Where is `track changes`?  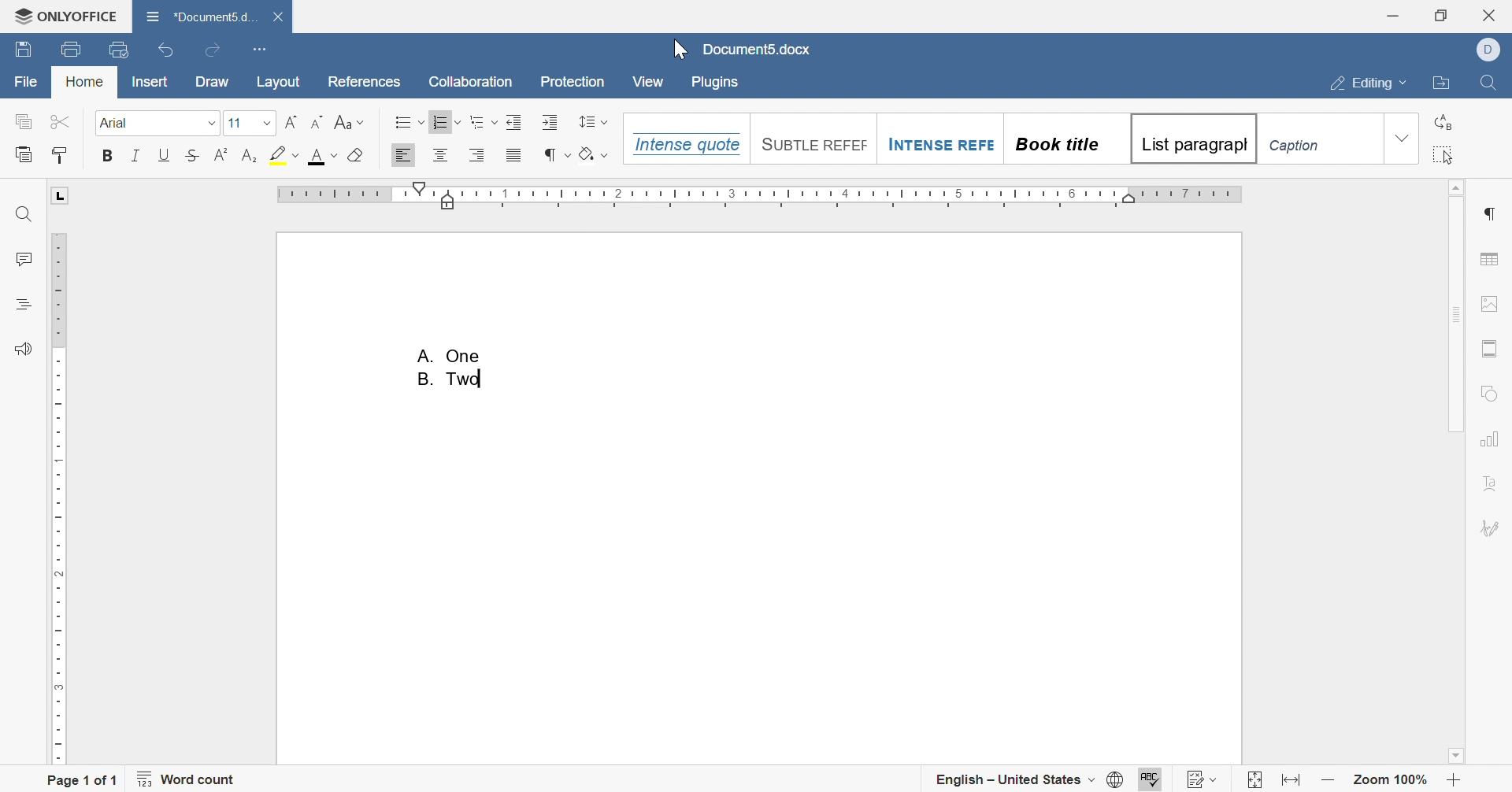 track changes is located at coordinates (1200, 779).